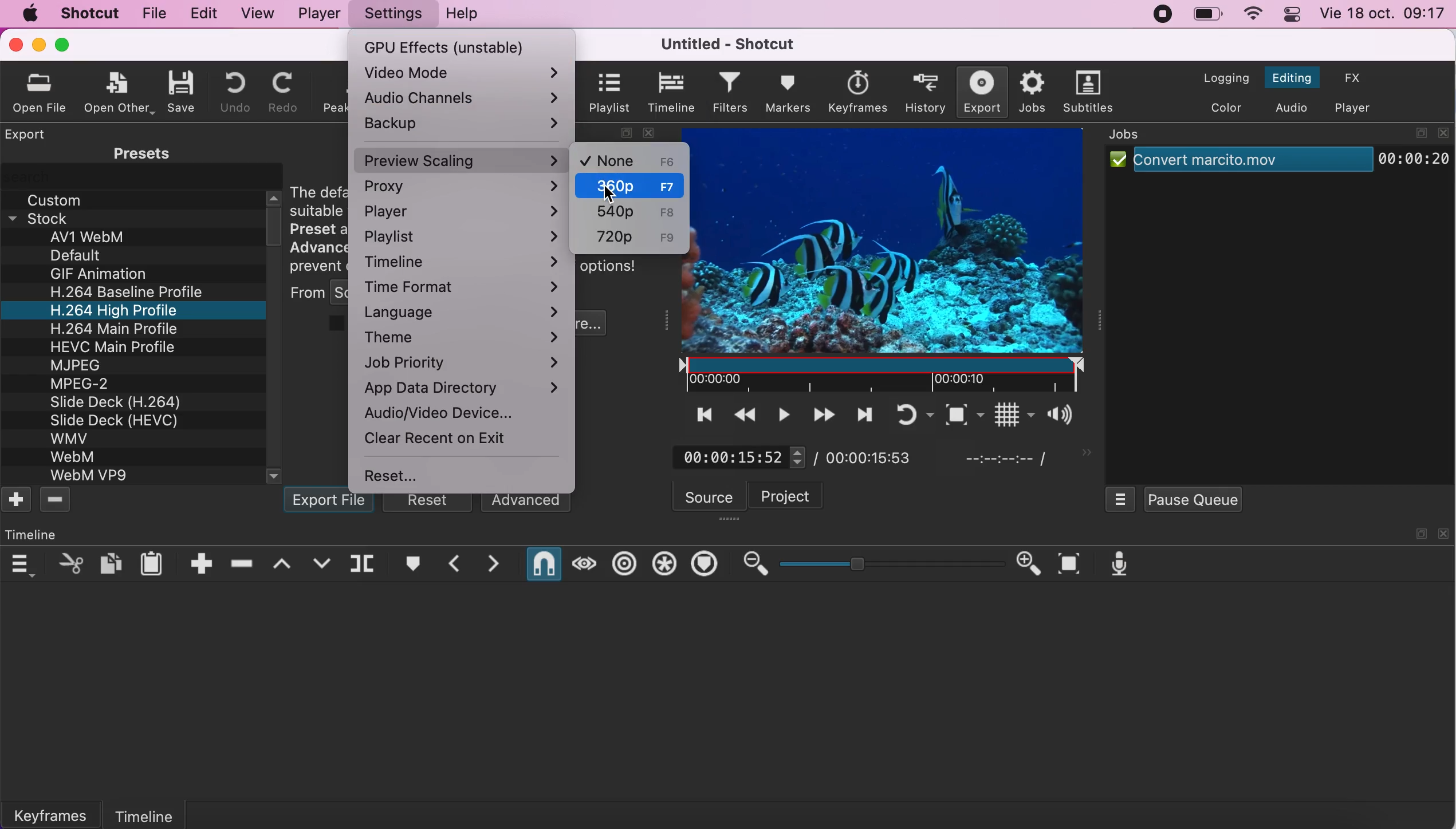 The image size is (1456, 829). I want to click on maximize, so click(1419, 534).